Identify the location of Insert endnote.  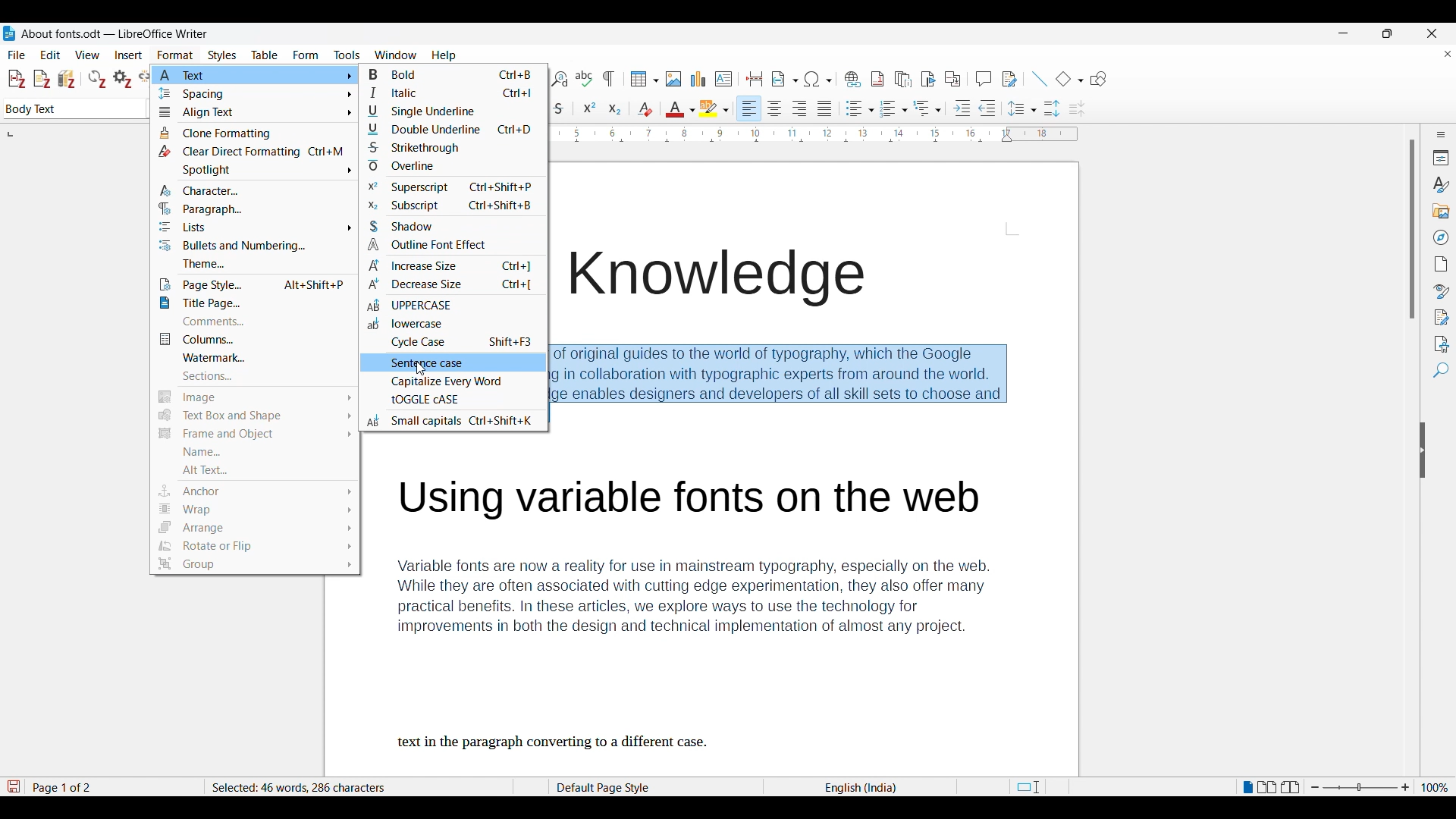
(903, 80).